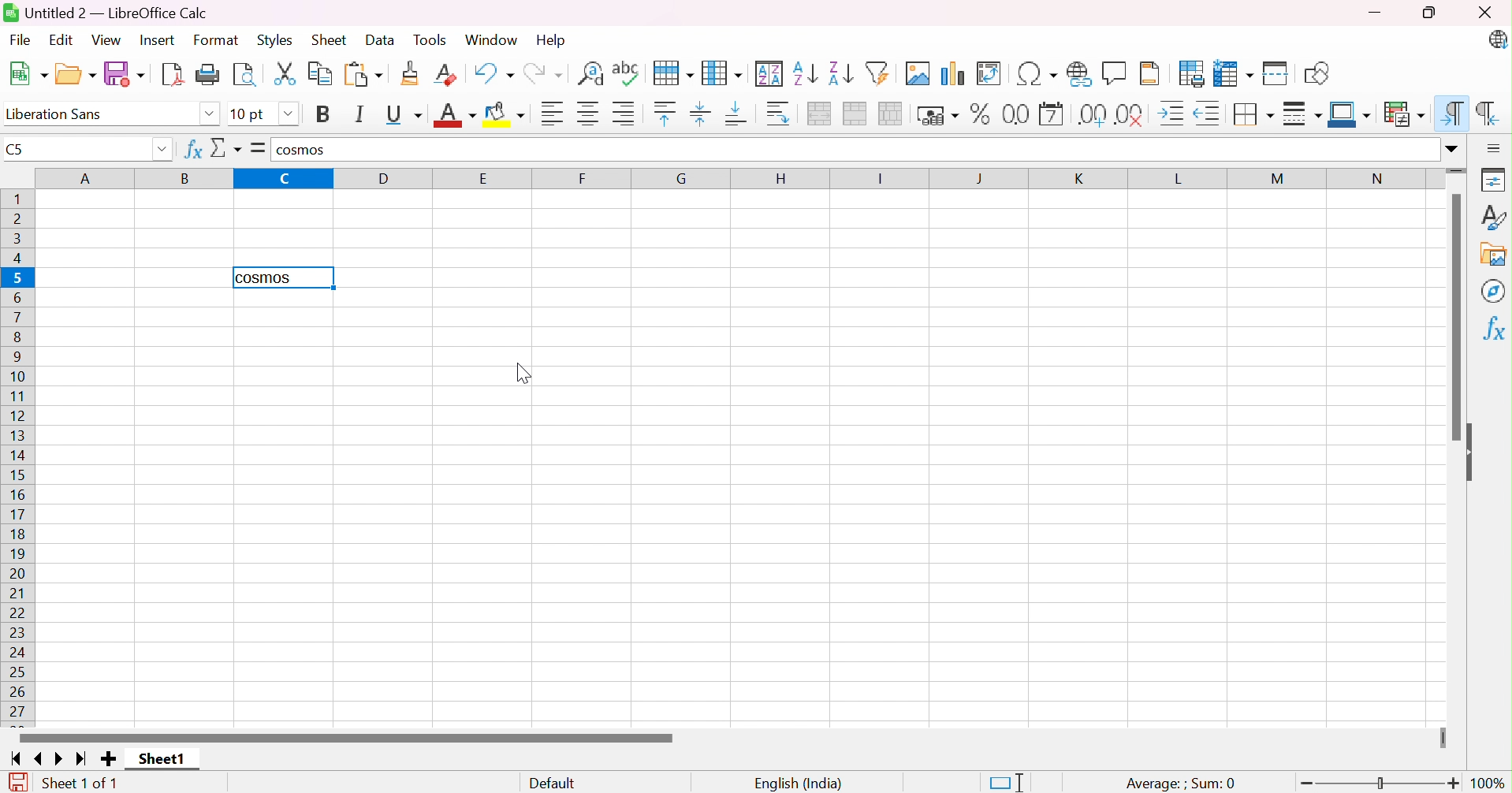 The height and width of the screenshot is (793, 1512). I want to click on Find and Replace, so click(590, 71).